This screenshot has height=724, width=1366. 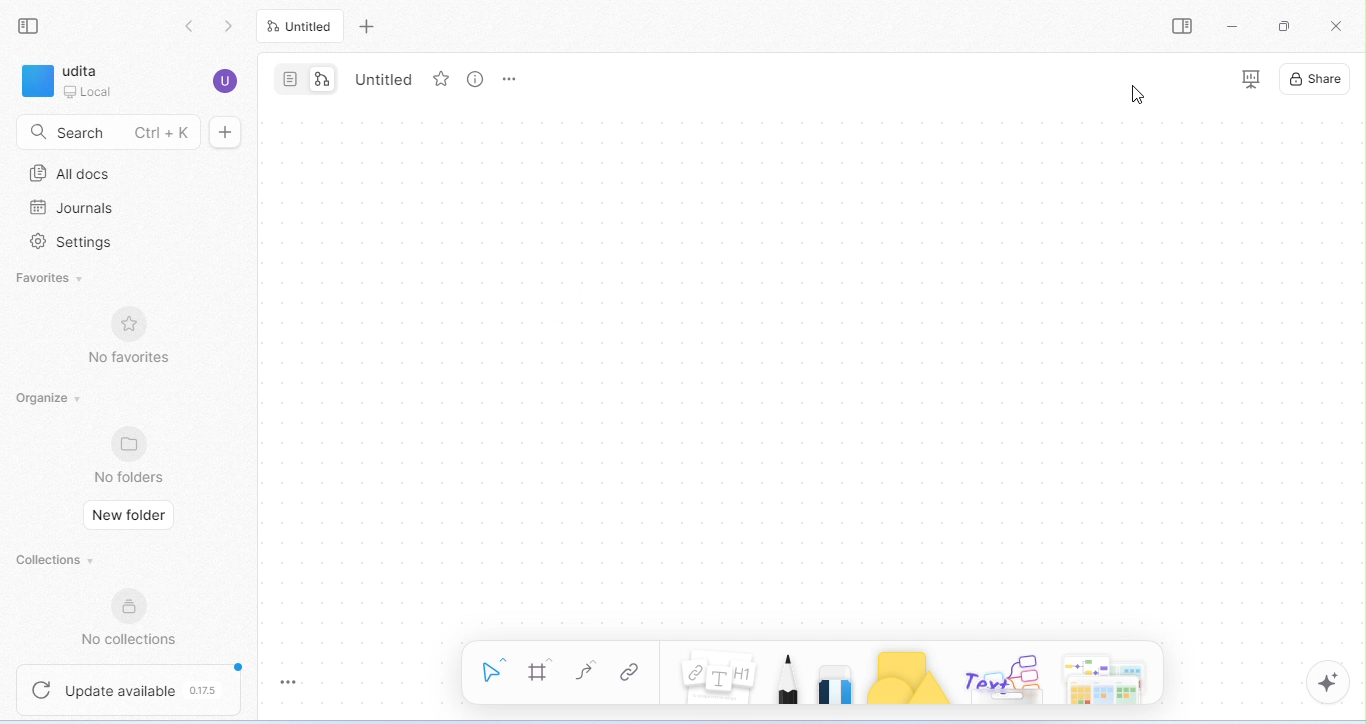 What do you see at coordinates (1249, 79) in the screenshot?
I see `presentation` at bounding box center [1249, 79].